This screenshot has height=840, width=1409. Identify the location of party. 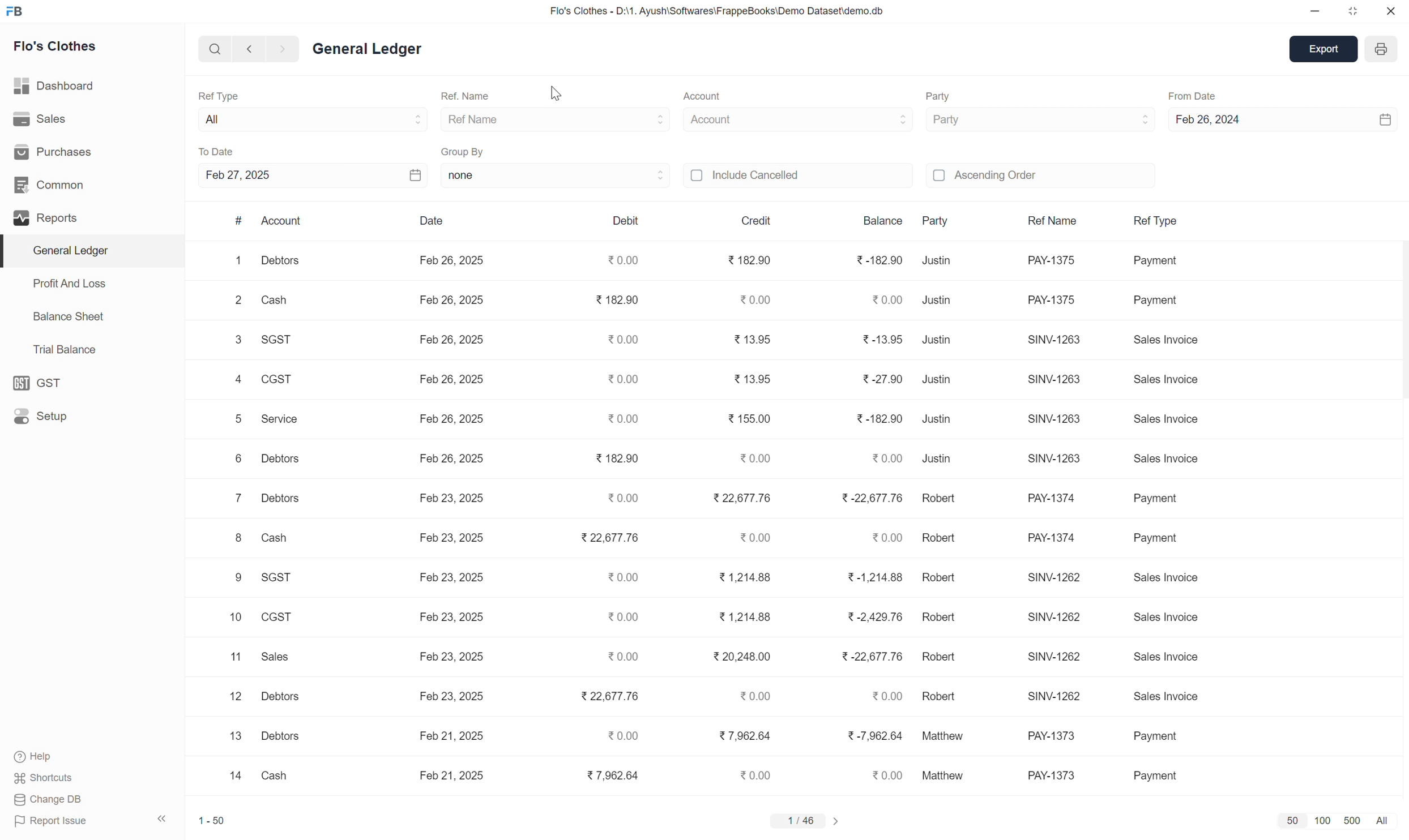
(938, 220).